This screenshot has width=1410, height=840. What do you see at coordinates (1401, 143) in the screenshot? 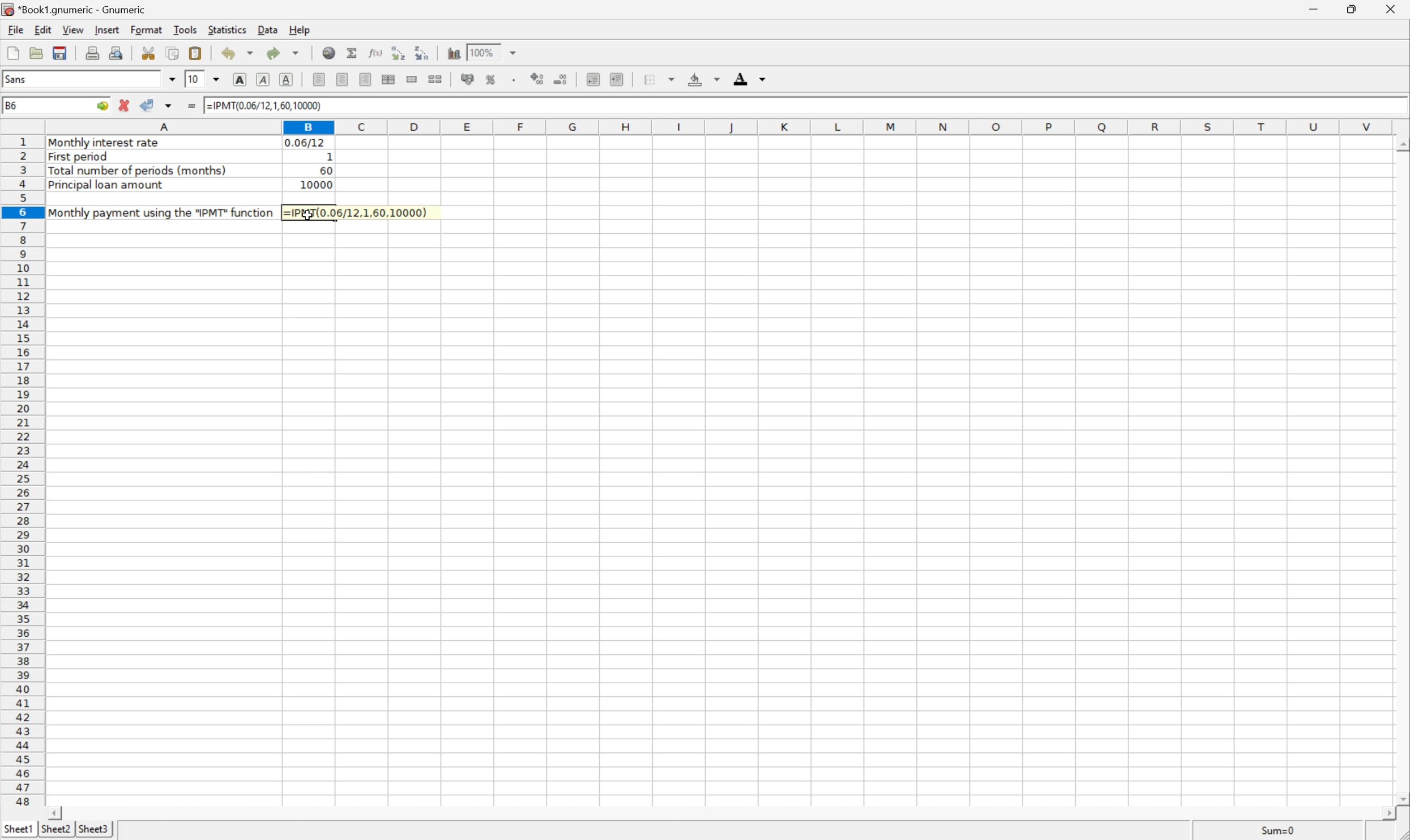
I see `Scroll Up` at bounding box center [1401, 143].